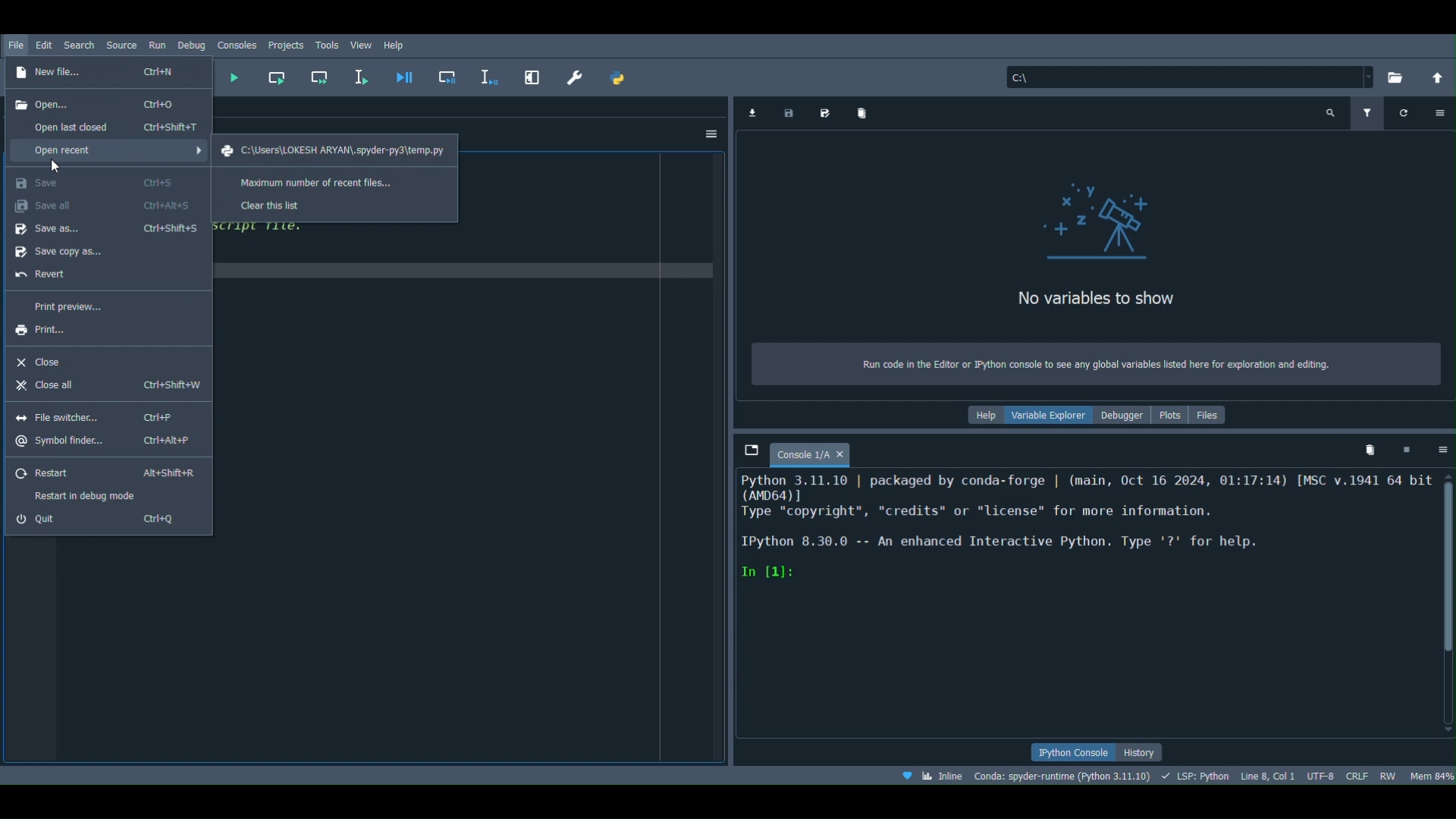 The width and height of the screenshot is (1456, 819). Describe the element at coordinates (1401, 112) in the screenshot. I see `Refresh variables (Ctrl + R)` at that location.